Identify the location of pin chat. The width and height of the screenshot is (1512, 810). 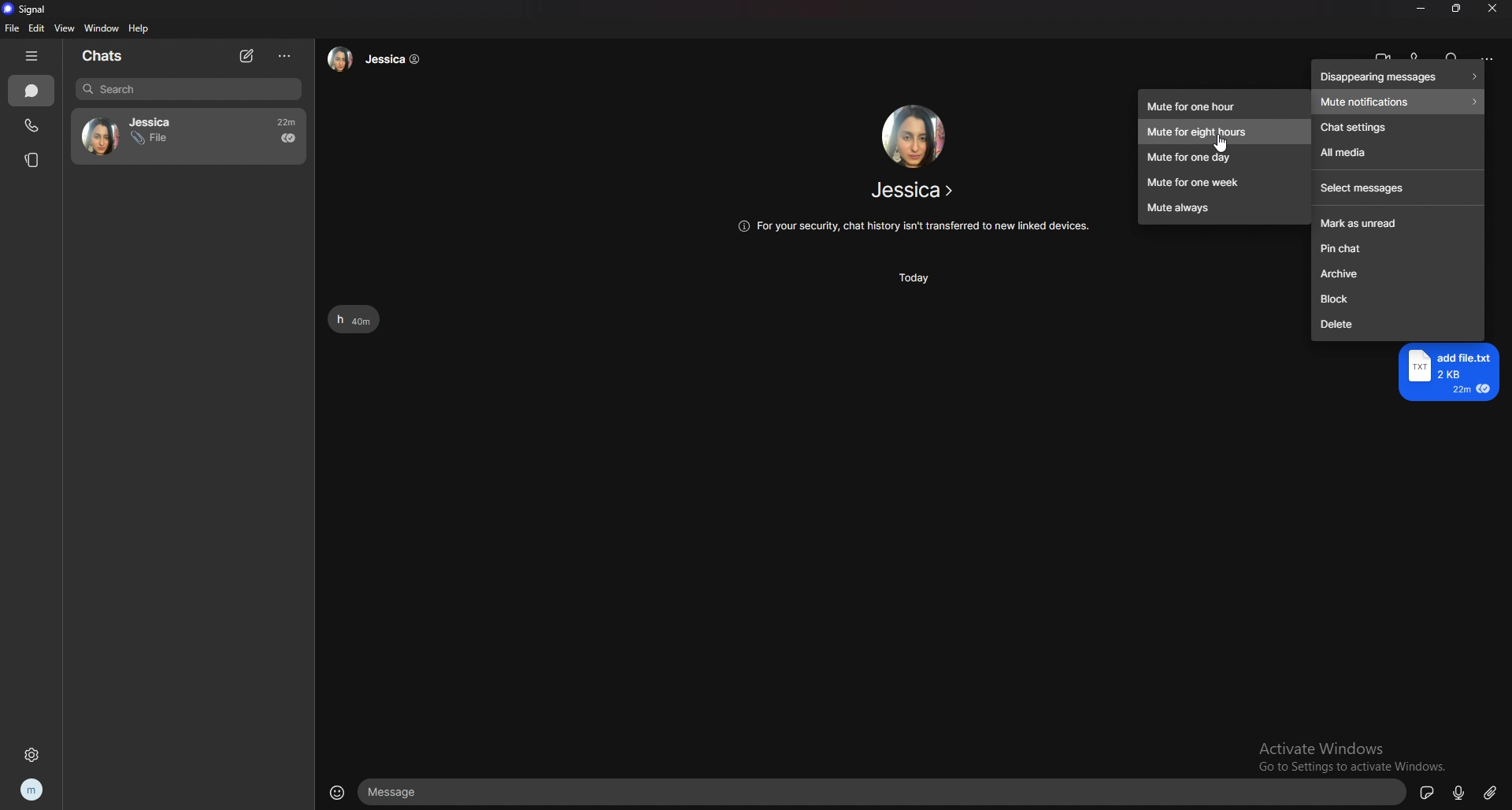
(1395, 251).